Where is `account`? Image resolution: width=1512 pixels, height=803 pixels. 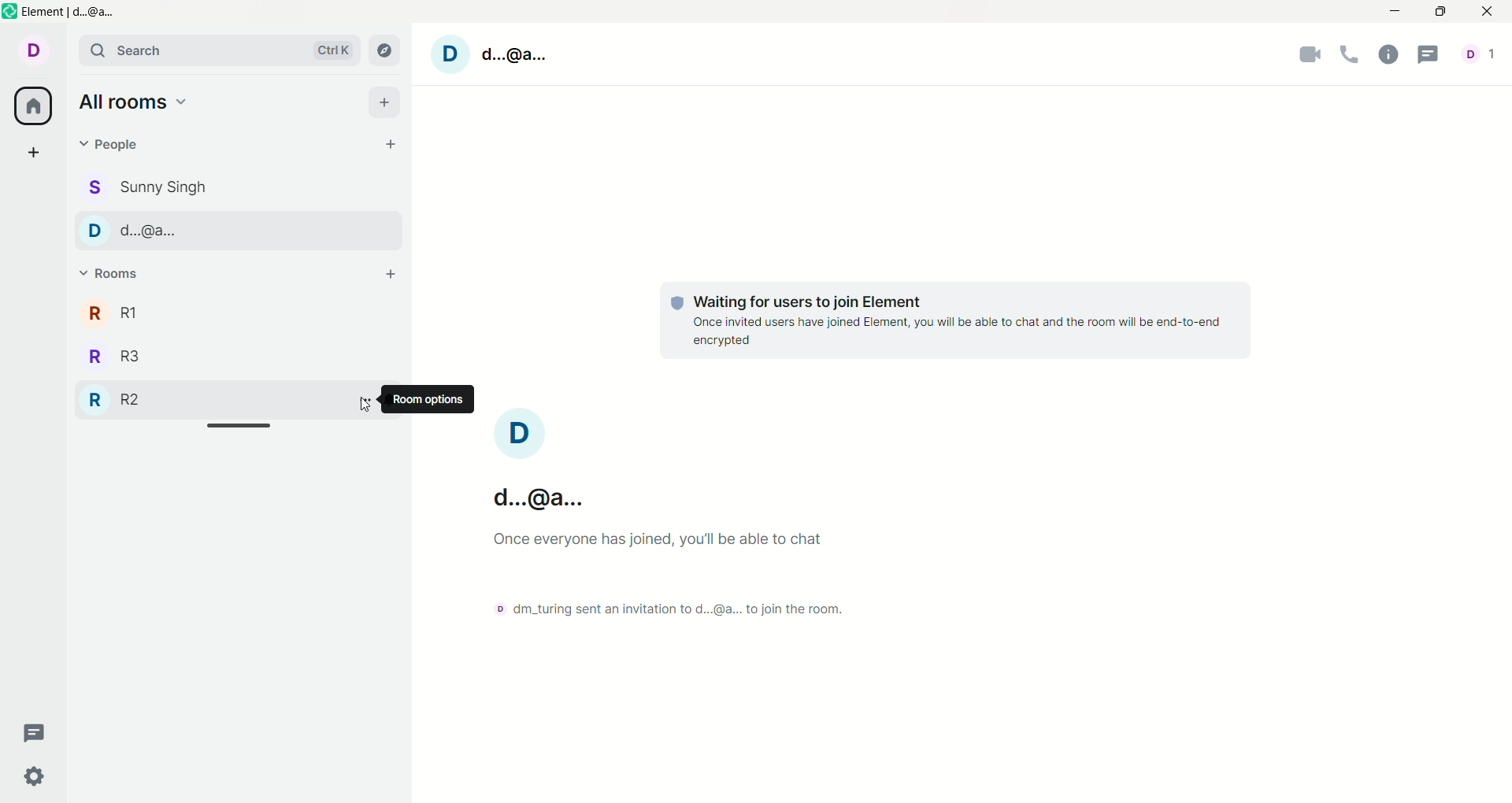
account is located at coordinates (541, 461).